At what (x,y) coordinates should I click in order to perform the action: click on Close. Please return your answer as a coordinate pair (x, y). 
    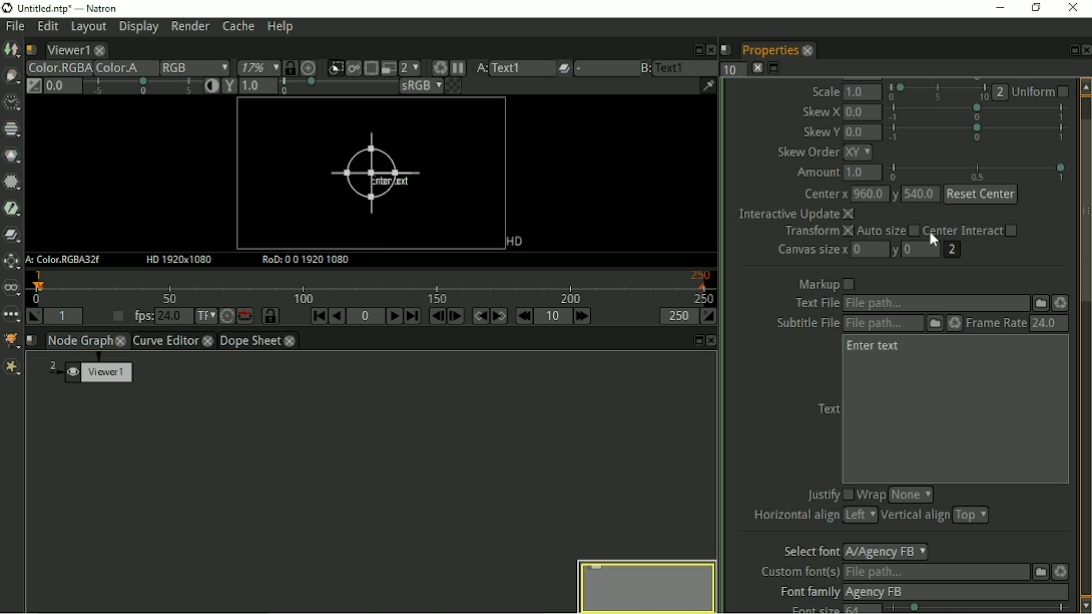
    Looking at the image, I should click on (709, 48).